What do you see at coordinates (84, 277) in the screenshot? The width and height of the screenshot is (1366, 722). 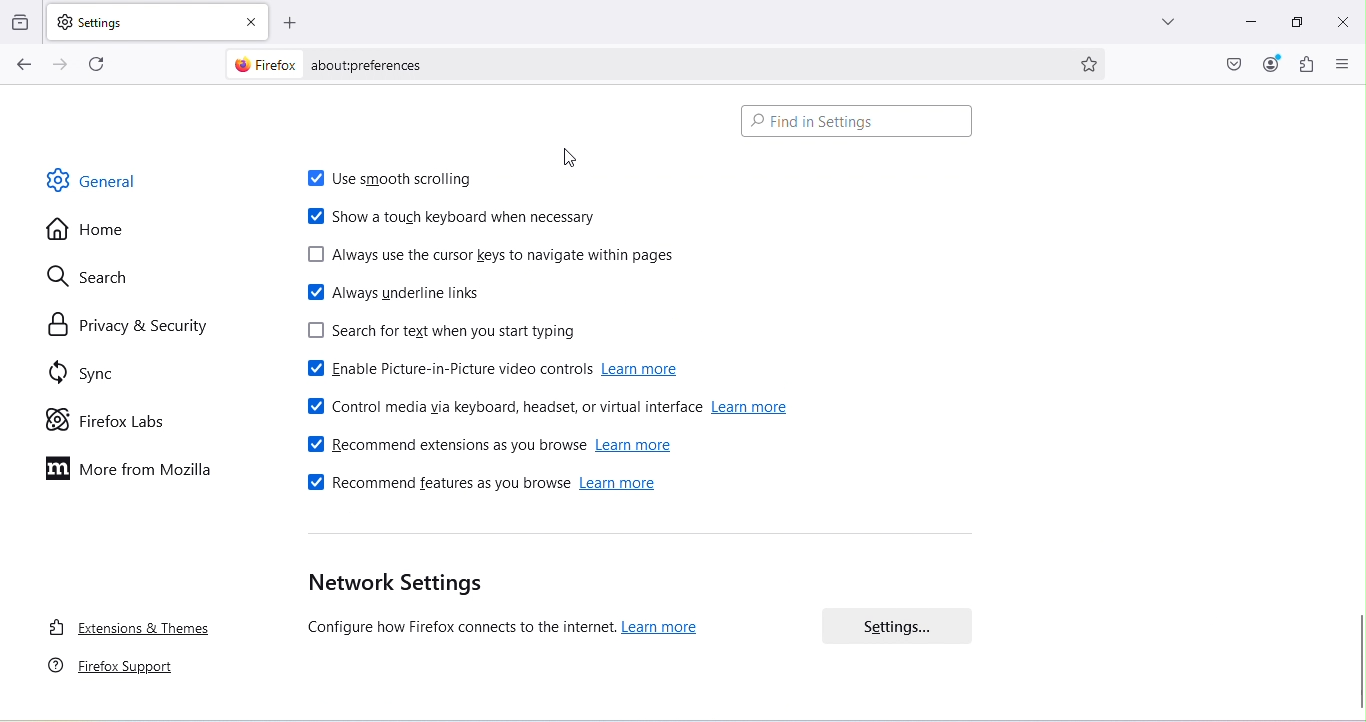 I see `Search` at bounding box center [84, 277].